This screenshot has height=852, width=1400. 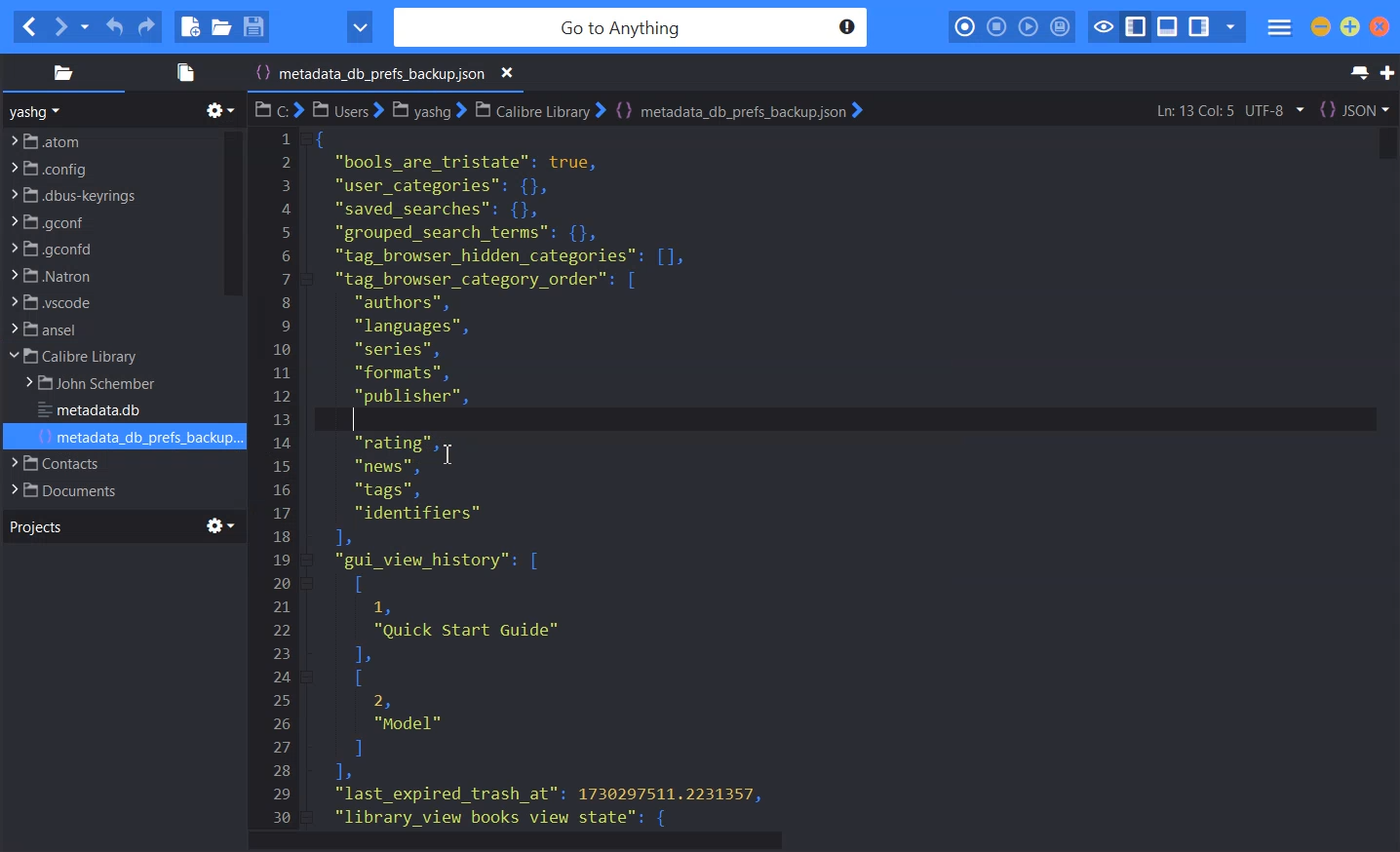 I want to click on File, so click(x=111, y=139).